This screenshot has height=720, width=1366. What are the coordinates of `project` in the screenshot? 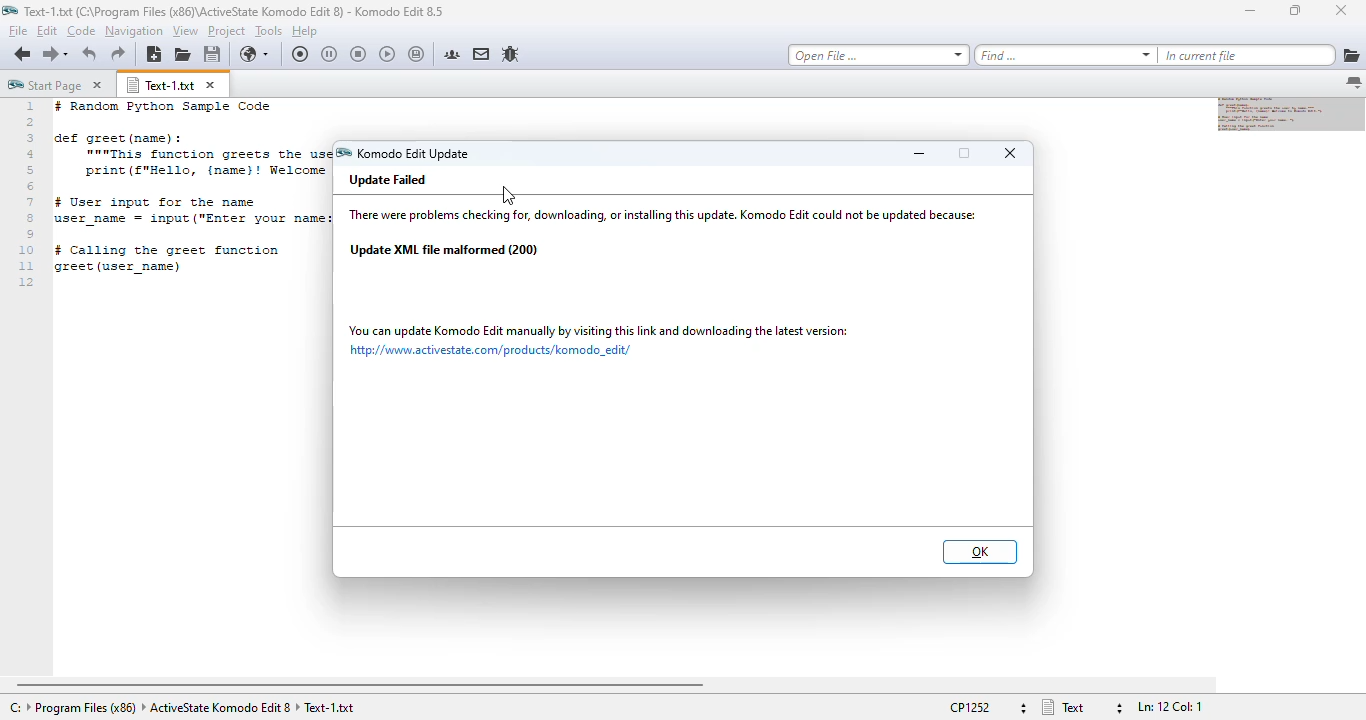 It's located at (227, 30).